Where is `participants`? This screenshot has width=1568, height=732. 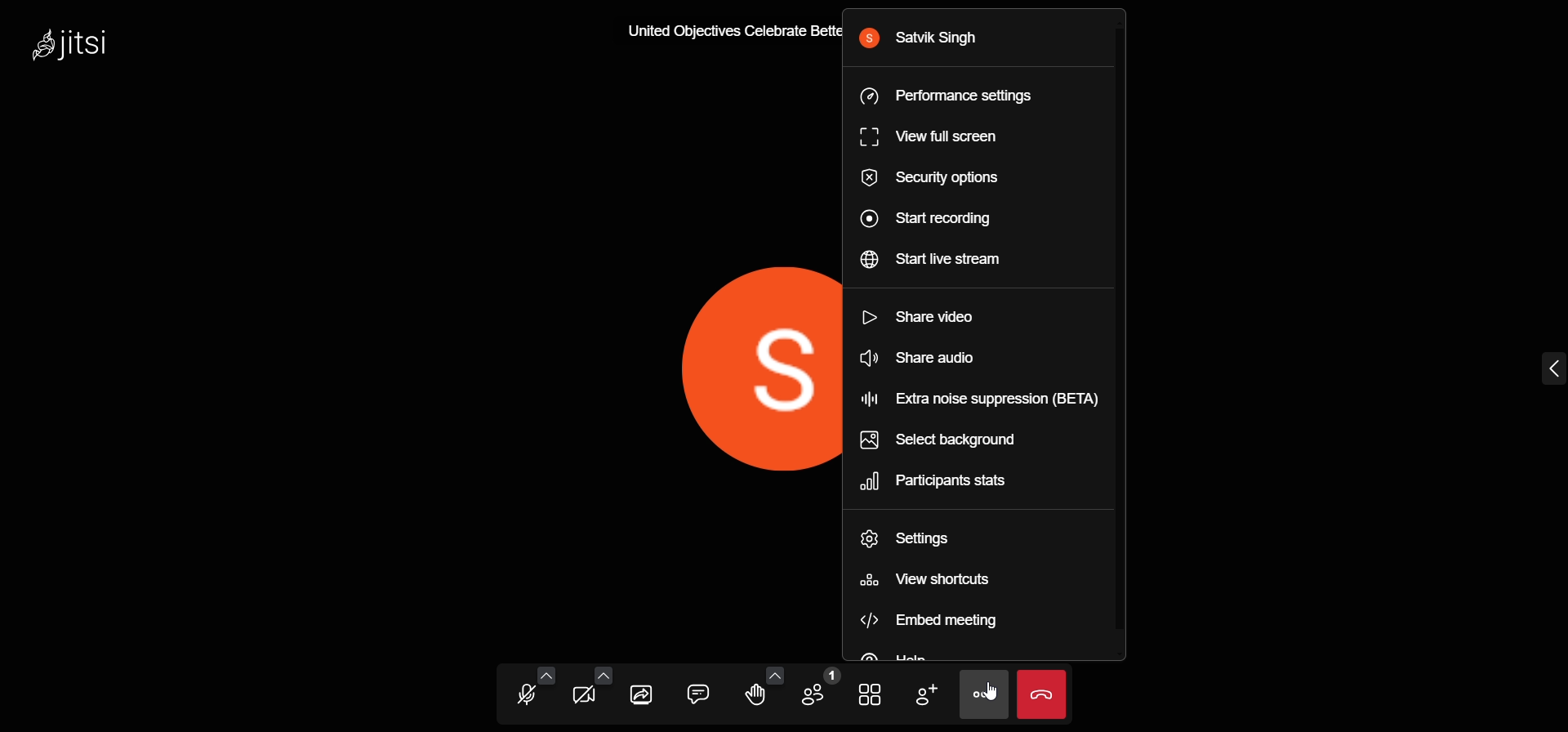
participants is located at coordinates (818, 688).